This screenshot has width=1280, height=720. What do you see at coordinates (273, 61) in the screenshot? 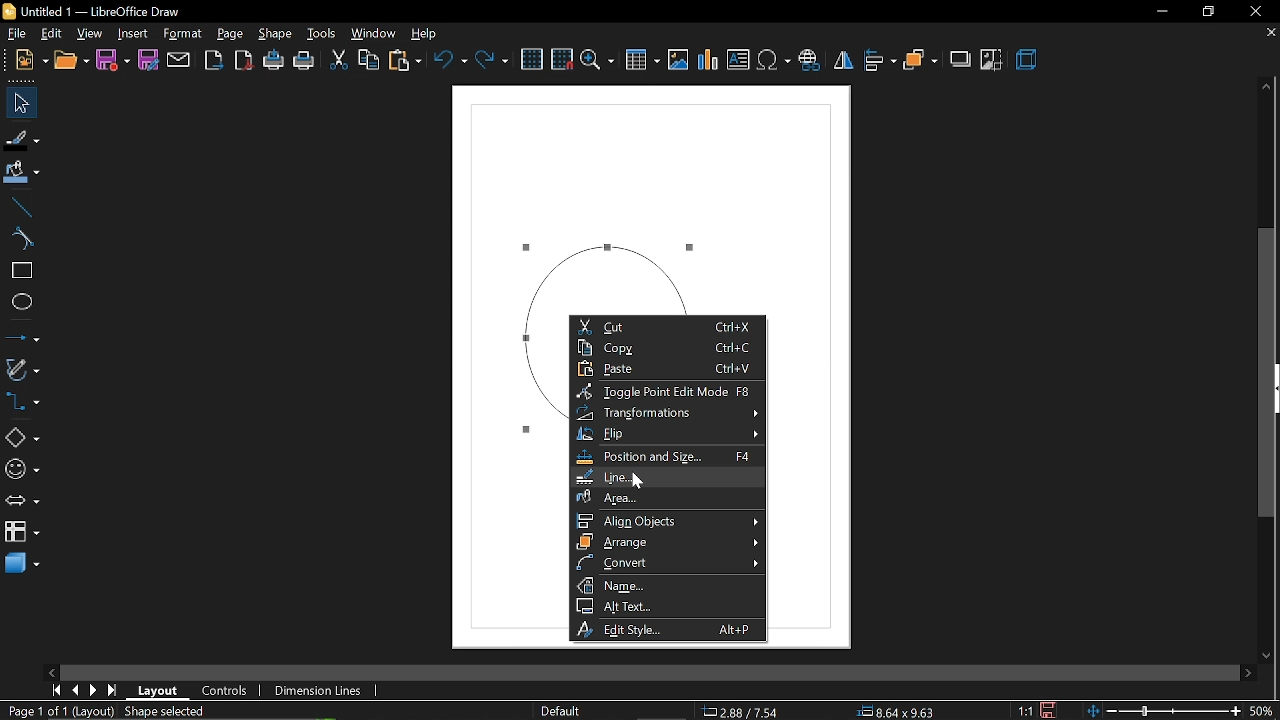
I see `print directly` at bounding box center [273, 61].